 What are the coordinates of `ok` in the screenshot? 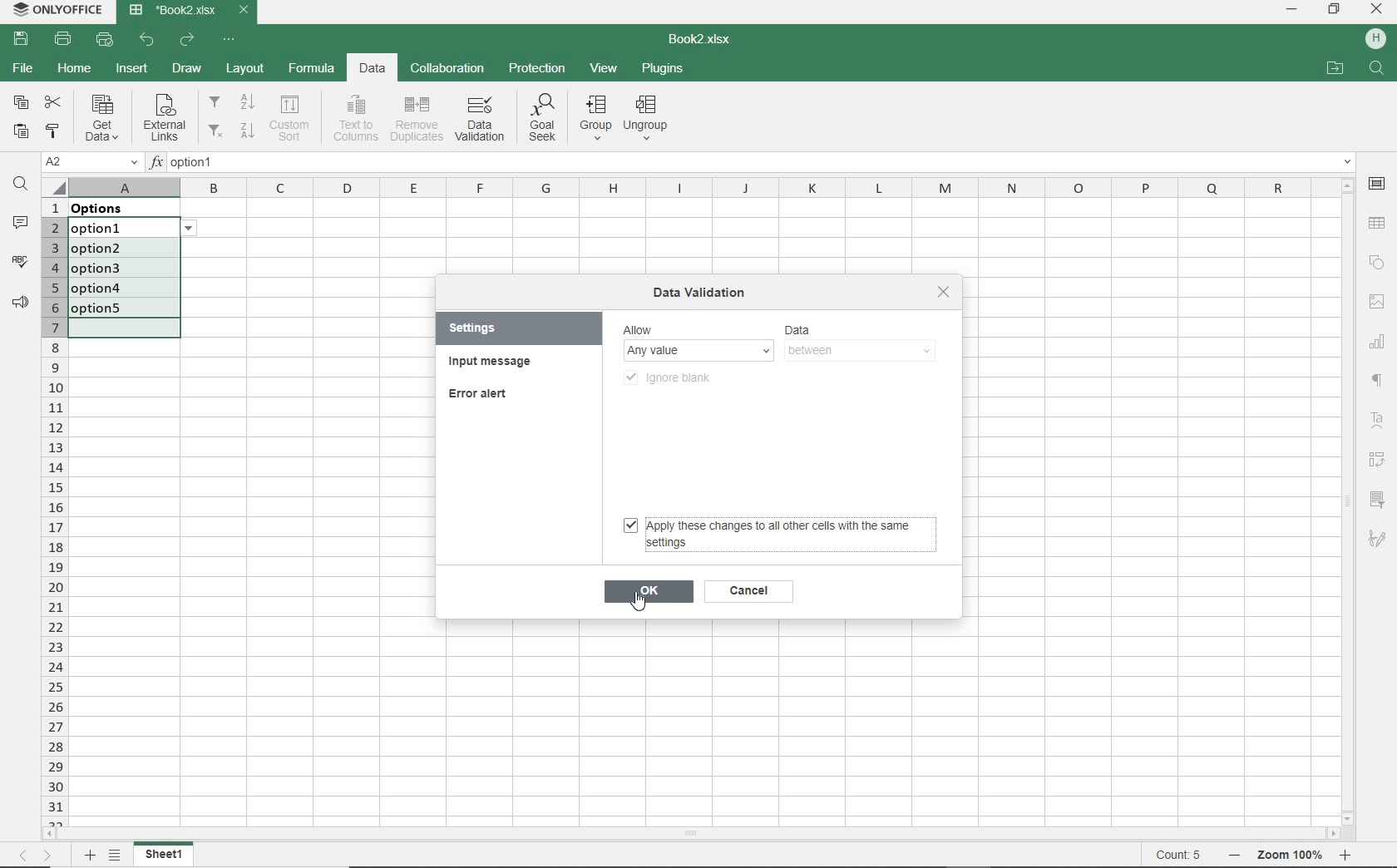 It's located at (649, 592).